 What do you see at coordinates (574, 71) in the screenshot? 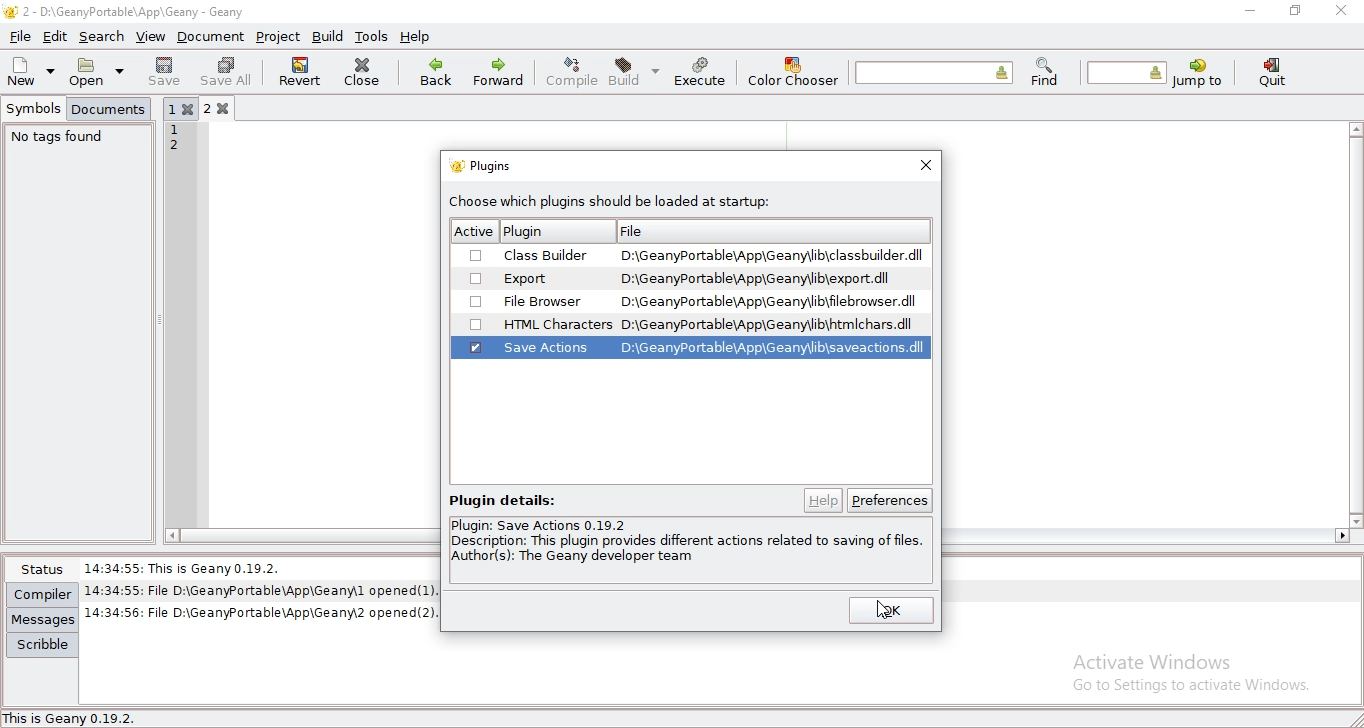
I see `compile` at bounding box center [574, 71].